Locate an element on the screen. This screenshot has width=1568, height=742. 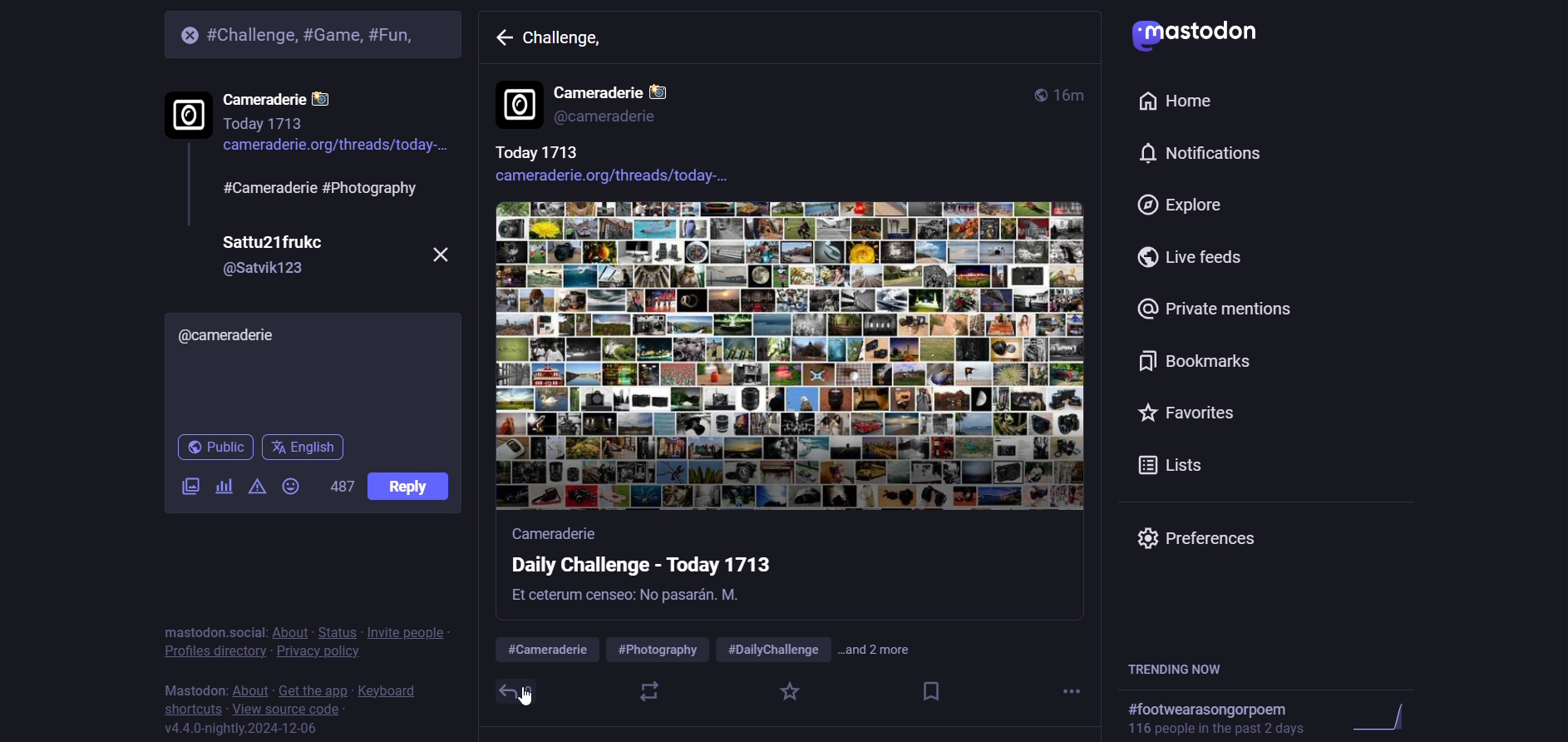
public is located at coordinates (1029, 92).